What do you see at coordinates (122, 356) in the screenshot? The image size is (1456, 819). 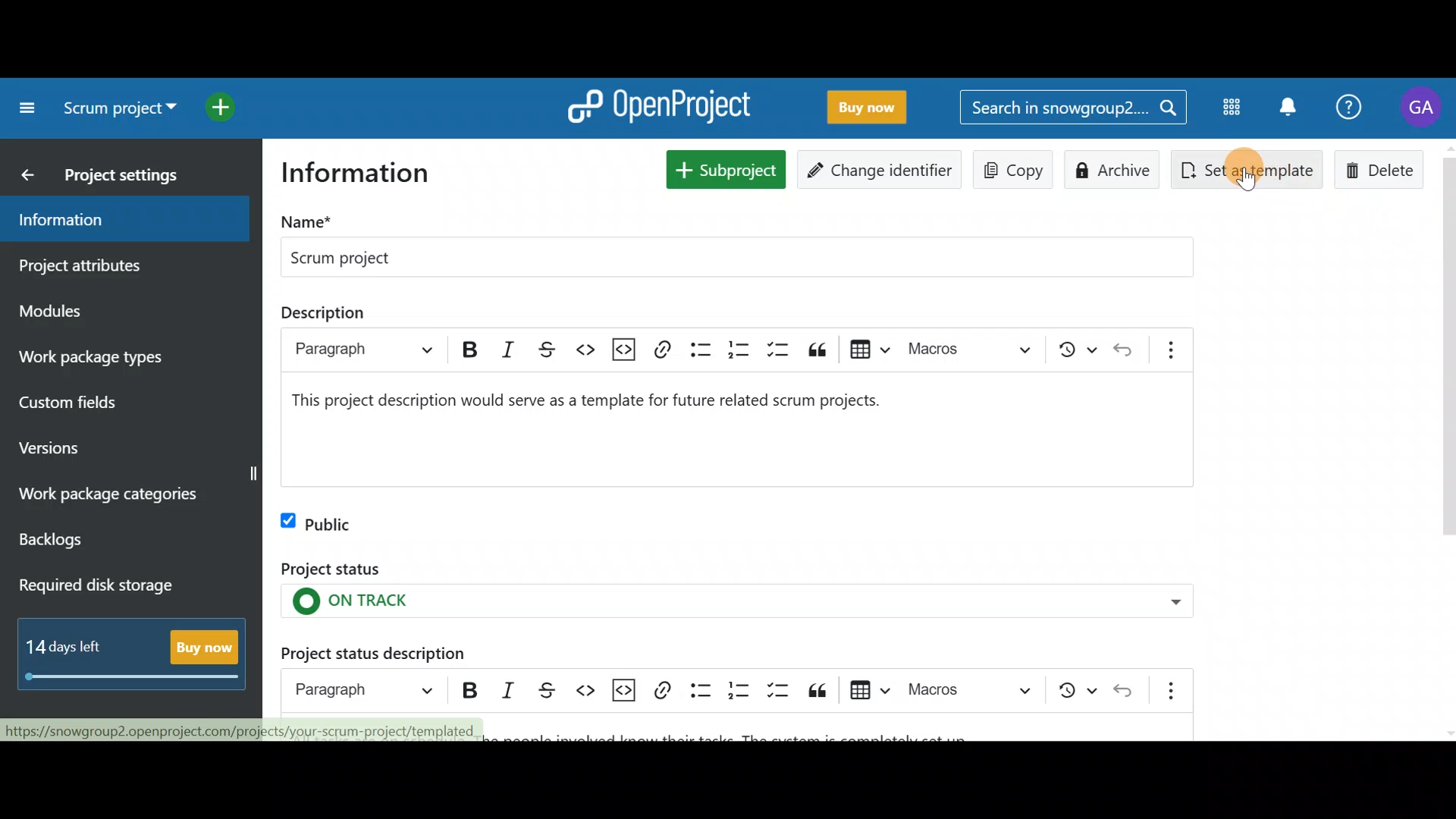 I see `Work package types` at bounding box center [122, 356].